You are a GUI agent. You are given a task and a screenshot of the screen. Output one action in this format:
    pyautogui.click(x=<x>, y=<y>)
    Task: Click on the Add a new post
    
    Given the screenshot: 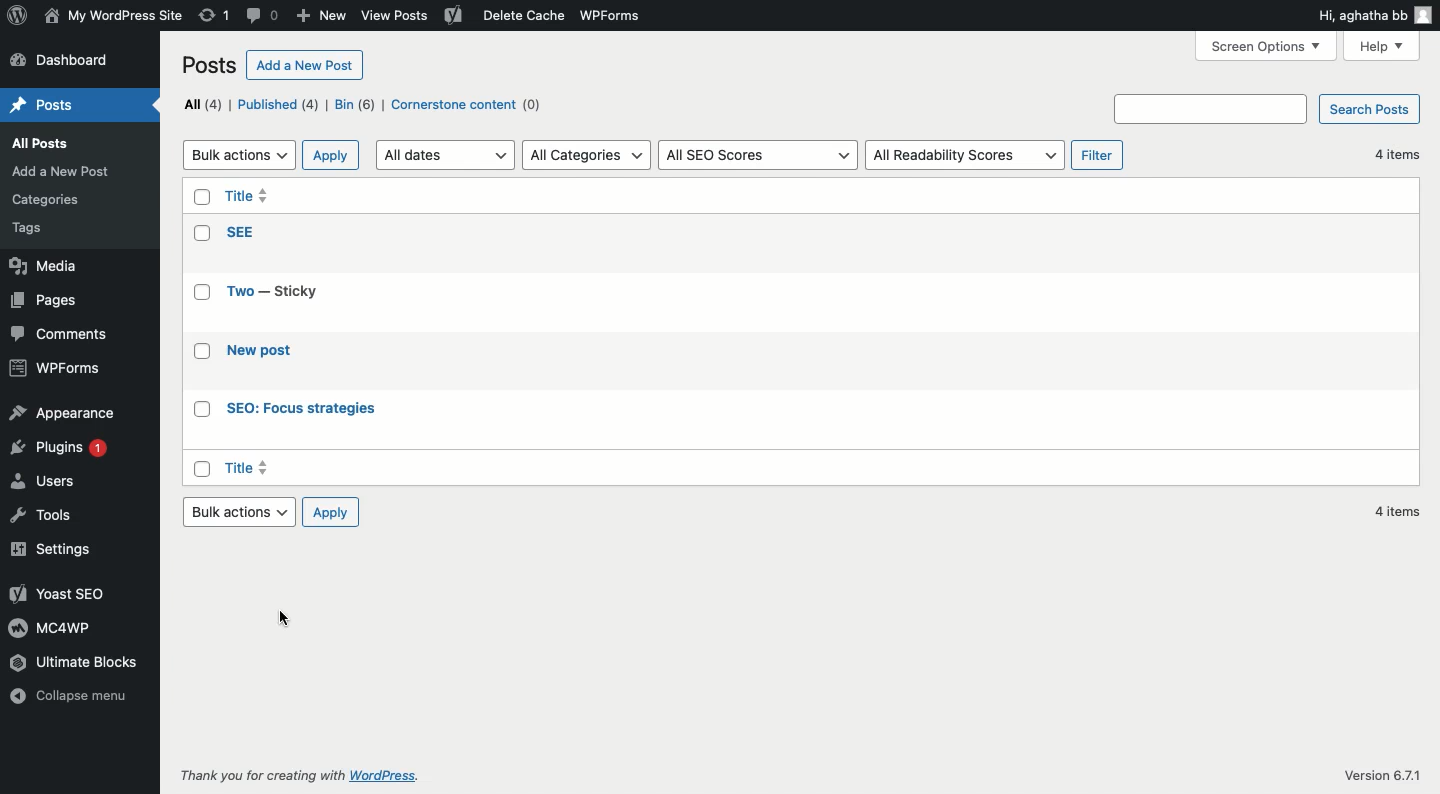 What is the action you would take?
    pyautogui.click(x=307, y=66)
    